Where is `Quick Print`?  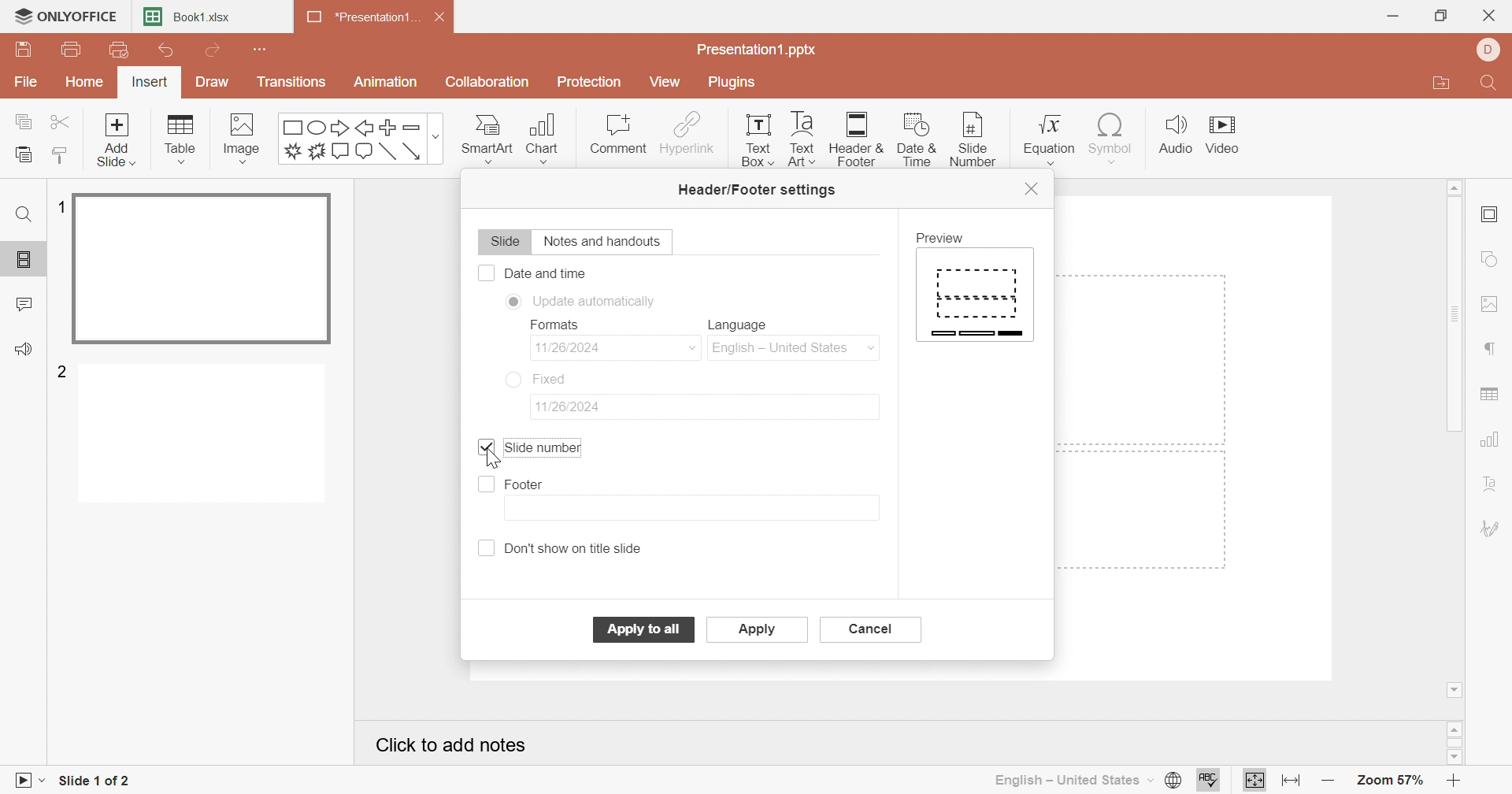 Quick Print is located at coordinates (115, 50).